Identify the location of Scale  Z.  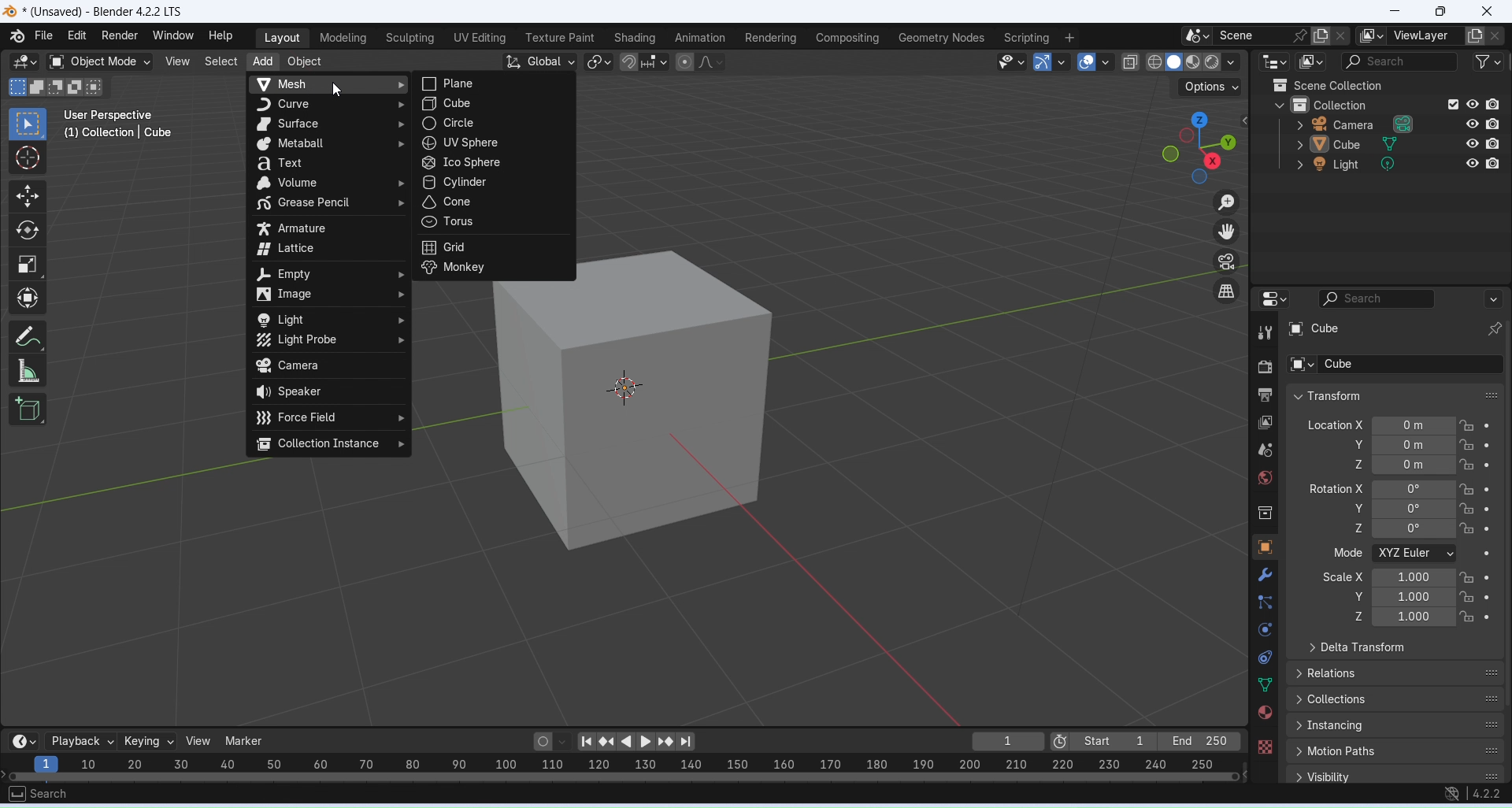
(1358, 616).